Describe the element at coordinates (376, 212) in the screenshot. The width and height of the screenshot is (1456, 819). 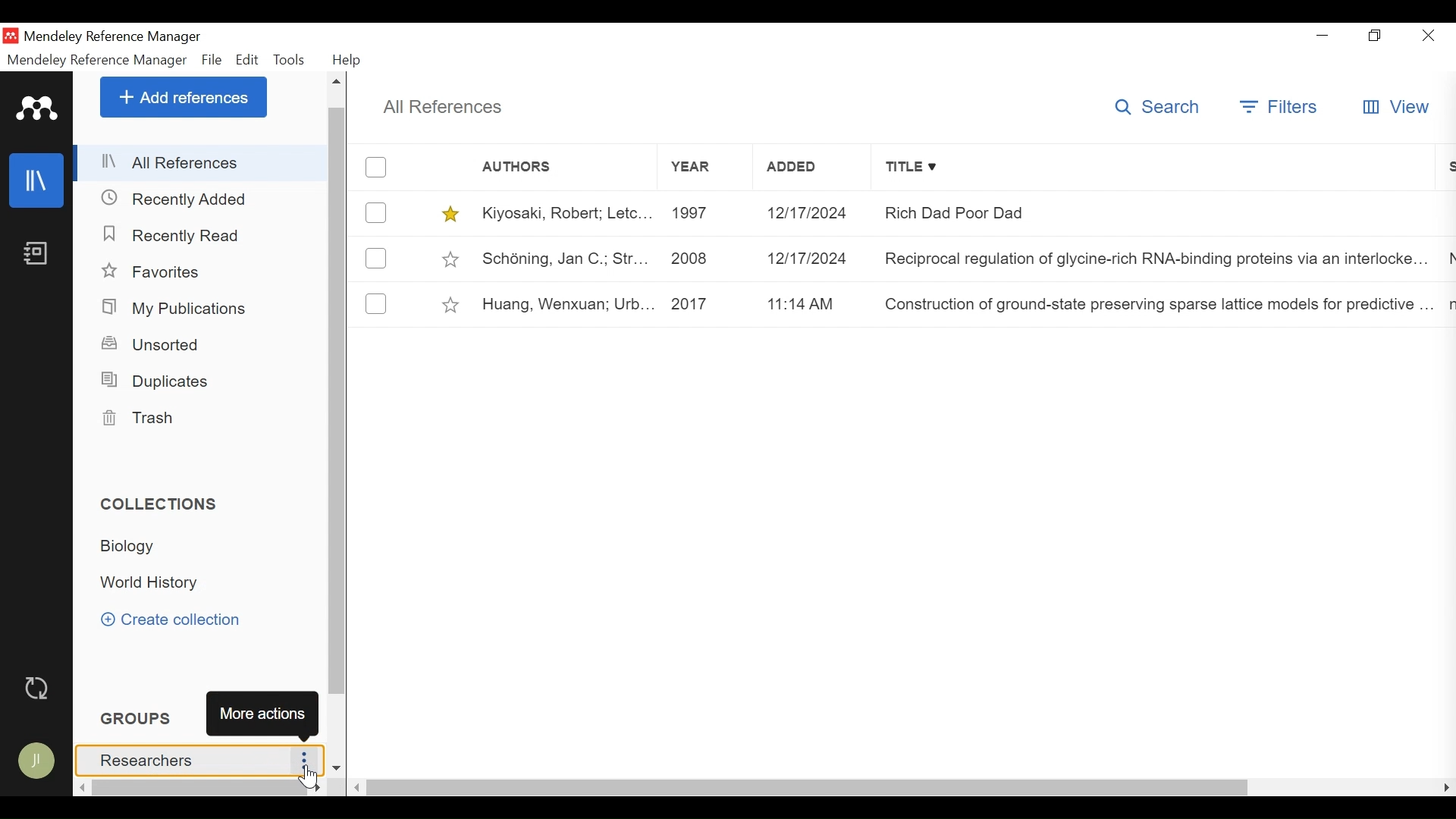
I see `(un)select` at that location.